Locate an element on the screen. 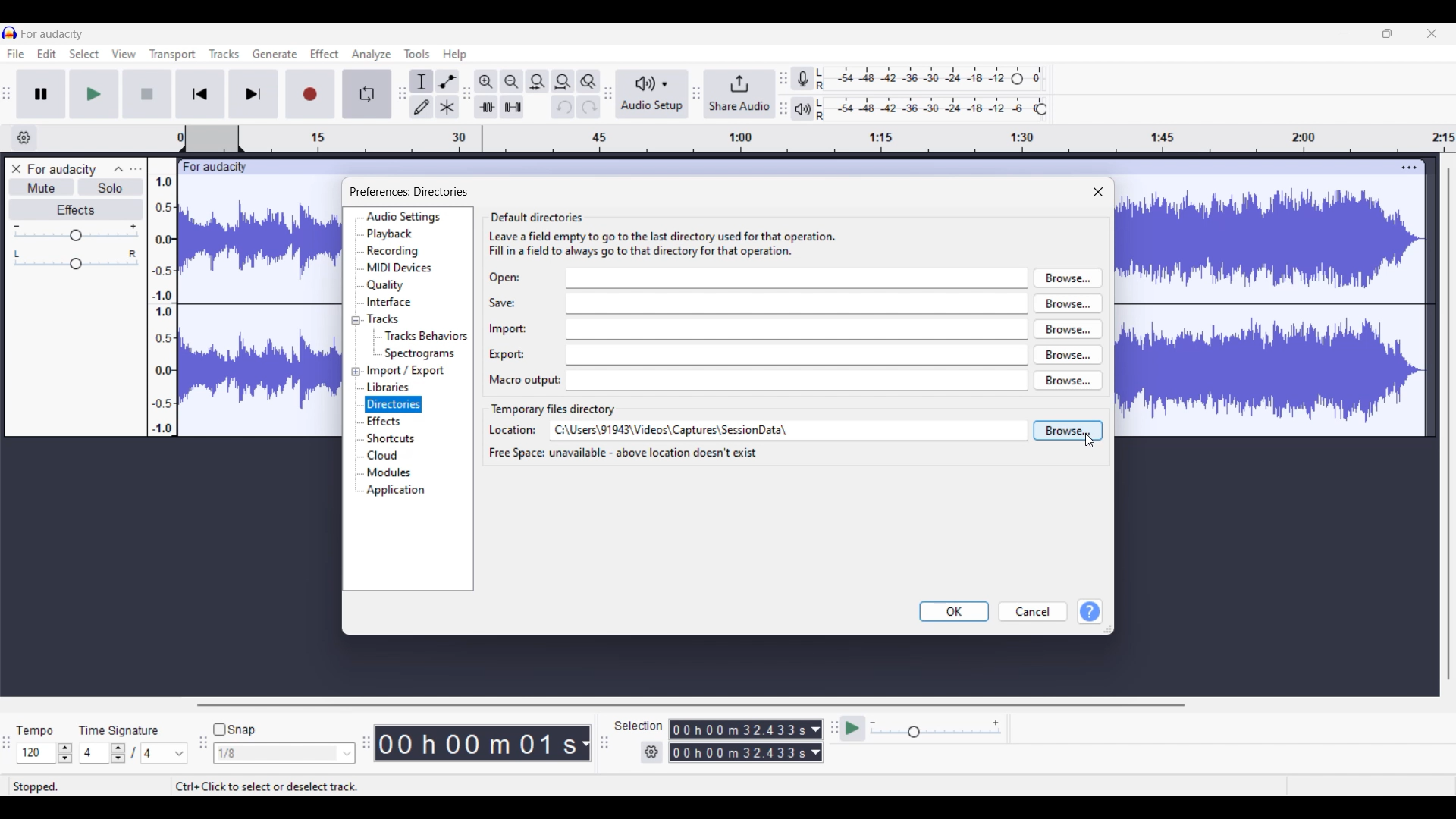 This screenshot has height=819, width=1456. Volume scale is located at coordinates (76, 231).